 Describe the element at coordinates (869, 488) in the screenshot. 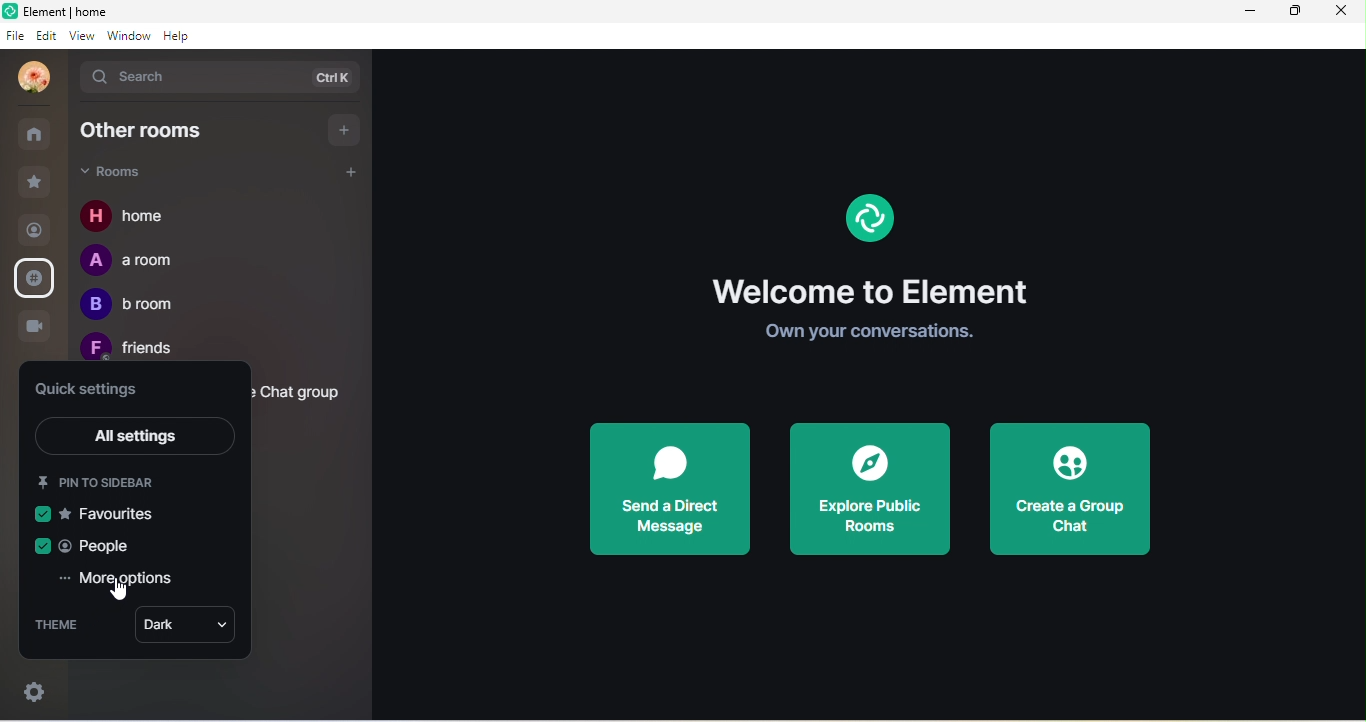

I see `explore public rooms` at that location.